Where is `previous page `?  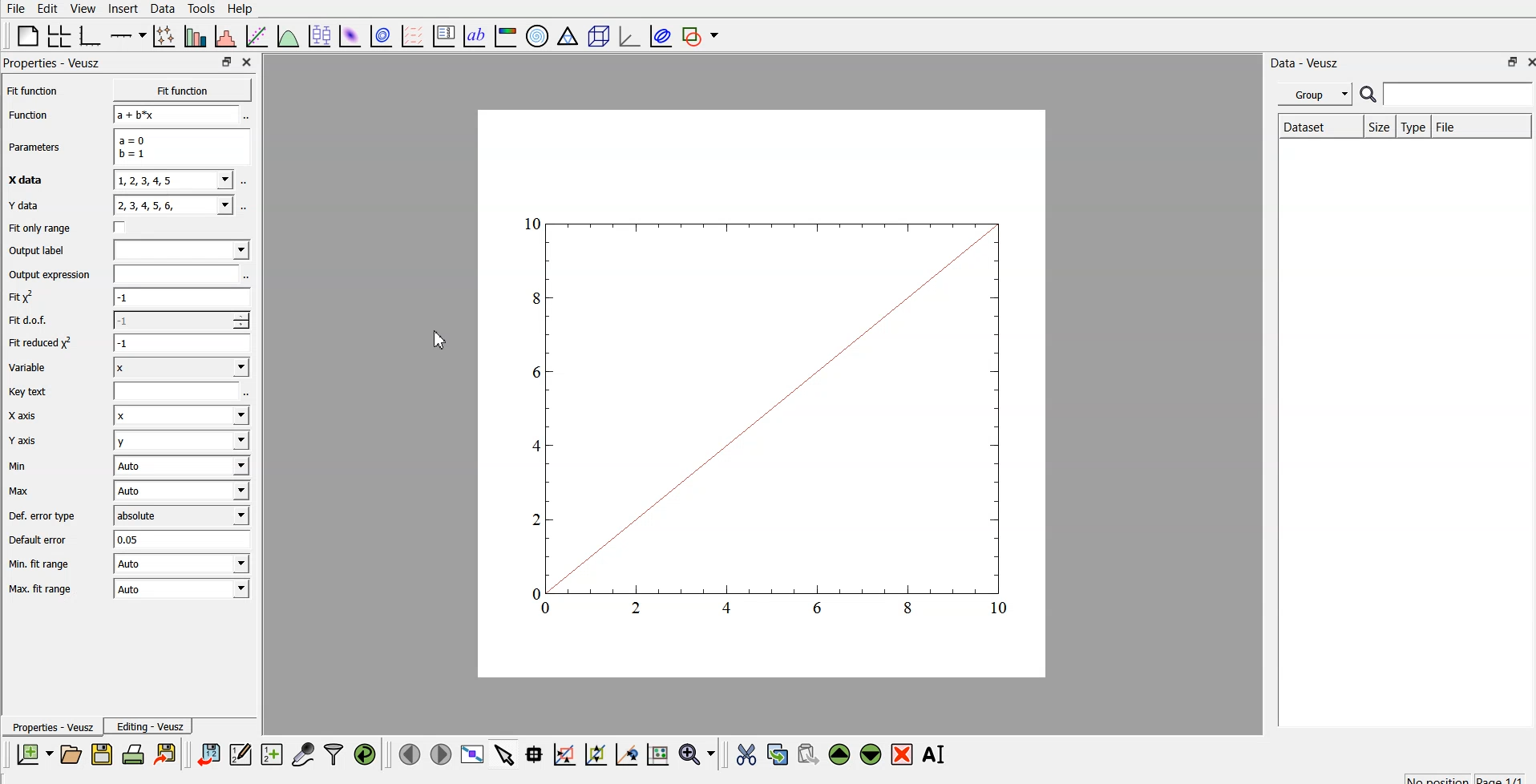
previous page  is located at coordinates (409, 755).